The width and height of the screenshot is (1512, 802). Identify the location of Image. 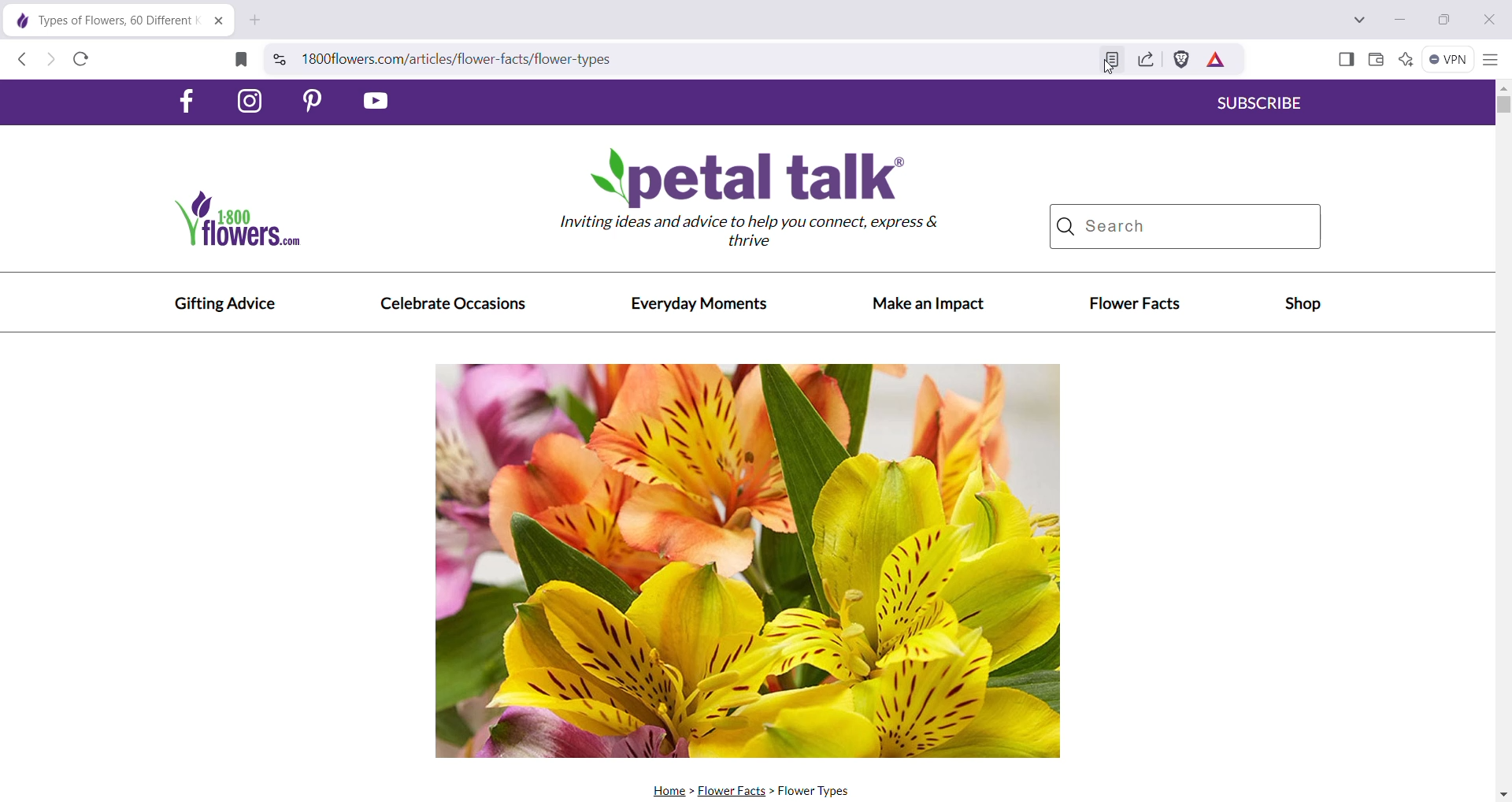
(749, 559).